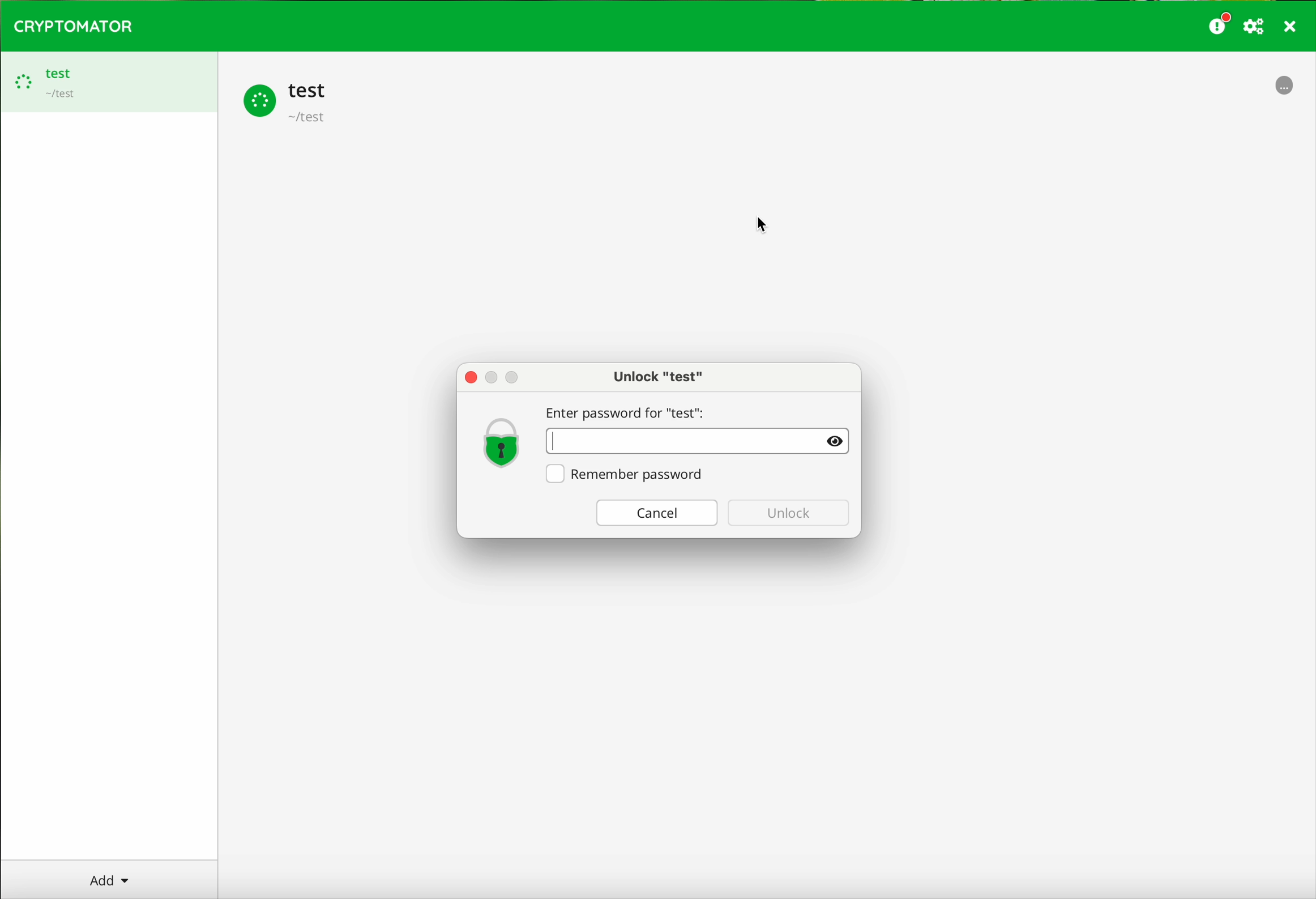 The image size is (1316, 899). I want to click on Add , so click(117, 879).